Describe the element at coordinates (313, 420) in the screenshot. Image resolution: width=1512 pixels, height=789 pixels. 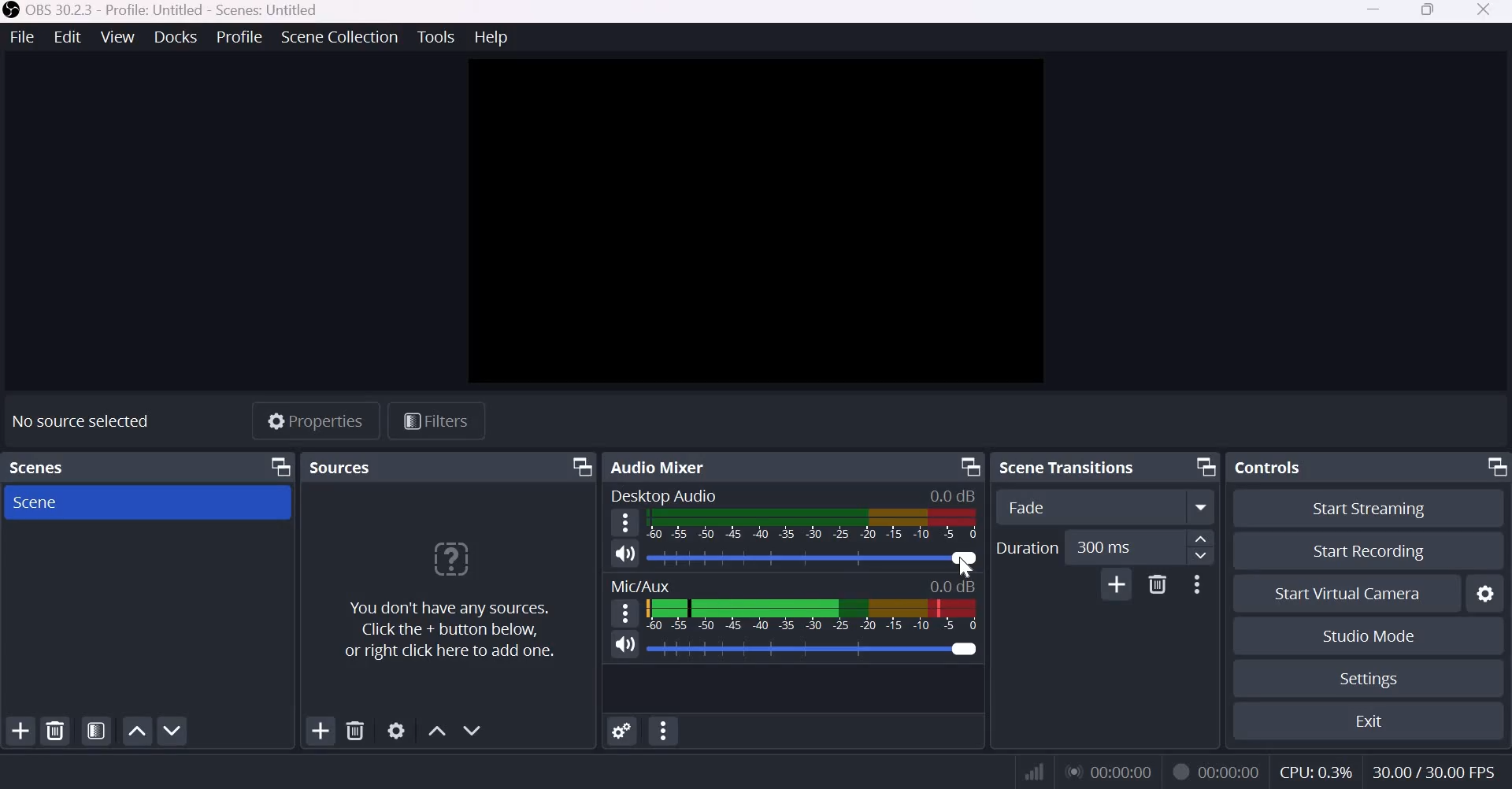
I see `Properties` at that location.